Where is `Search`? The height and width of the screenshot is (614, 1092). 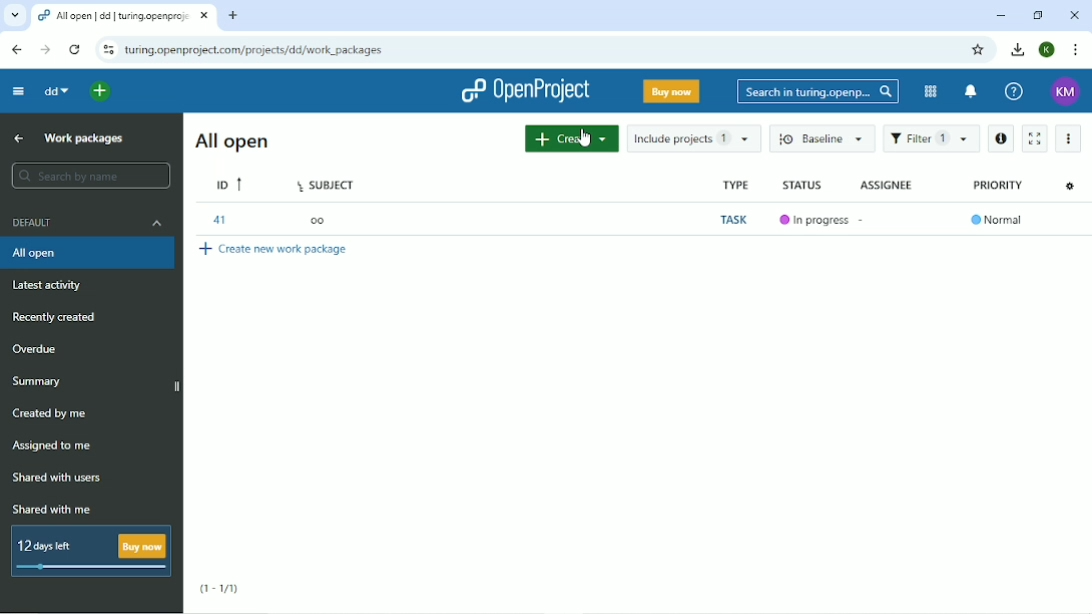
Search is located at coordinates (818, 93).